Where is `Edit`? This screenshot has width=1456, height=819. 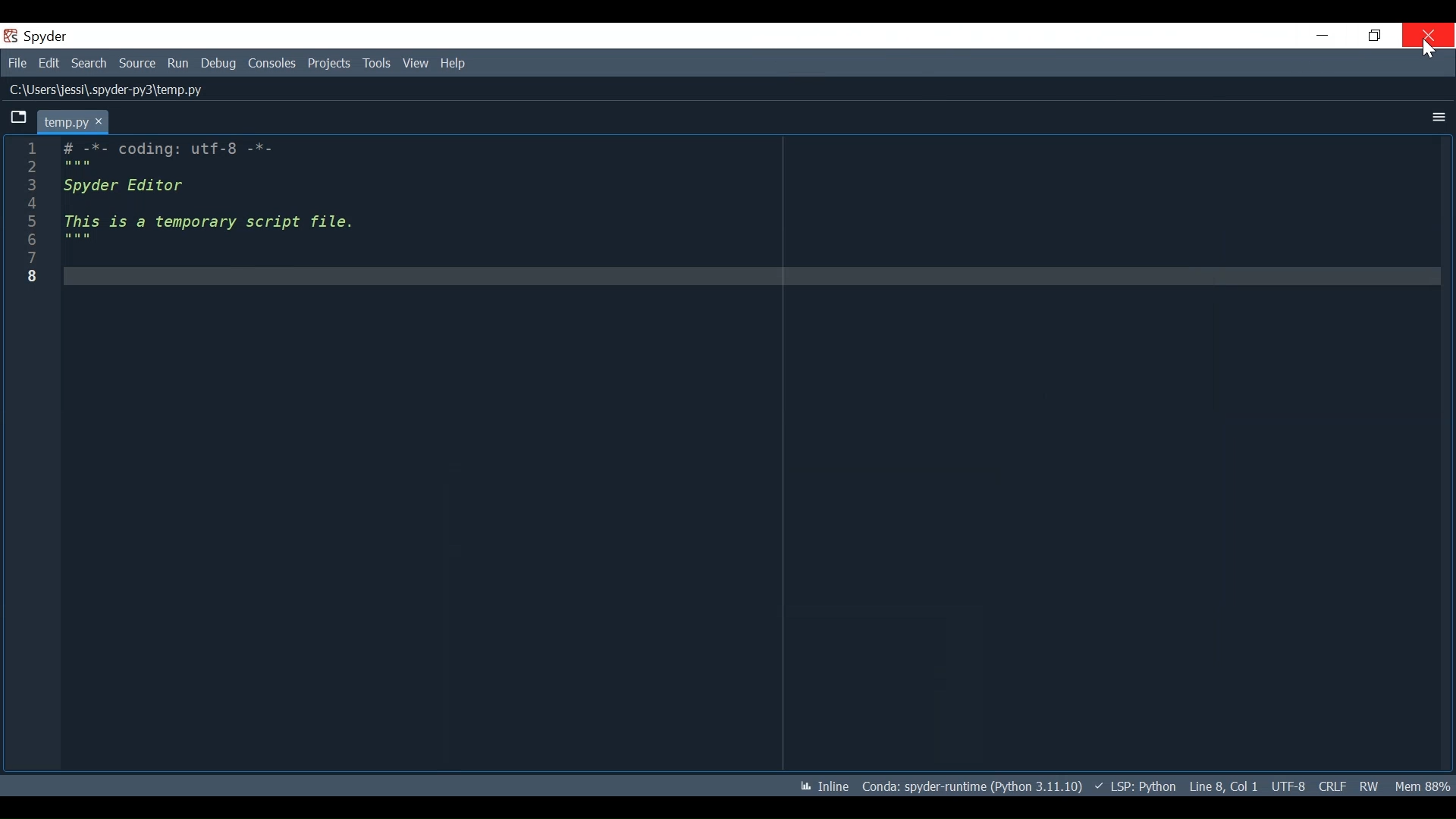
Edit is located at coordinates (49, 63).